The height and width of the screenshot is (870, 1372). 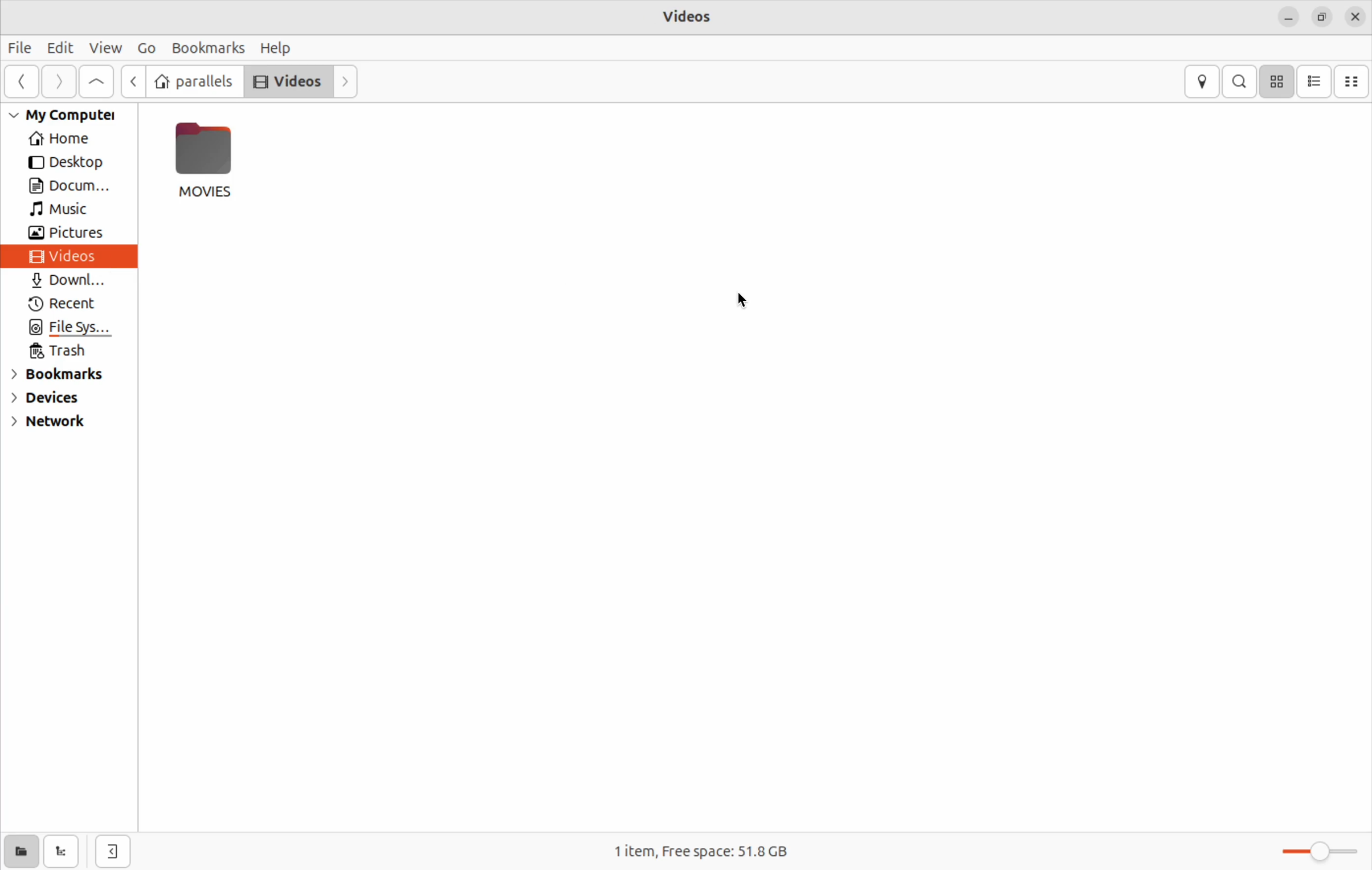 What do you see at coordinates (1354, 80) in the screenshot?
I see `compact view` at bounding box center [1354, 80].